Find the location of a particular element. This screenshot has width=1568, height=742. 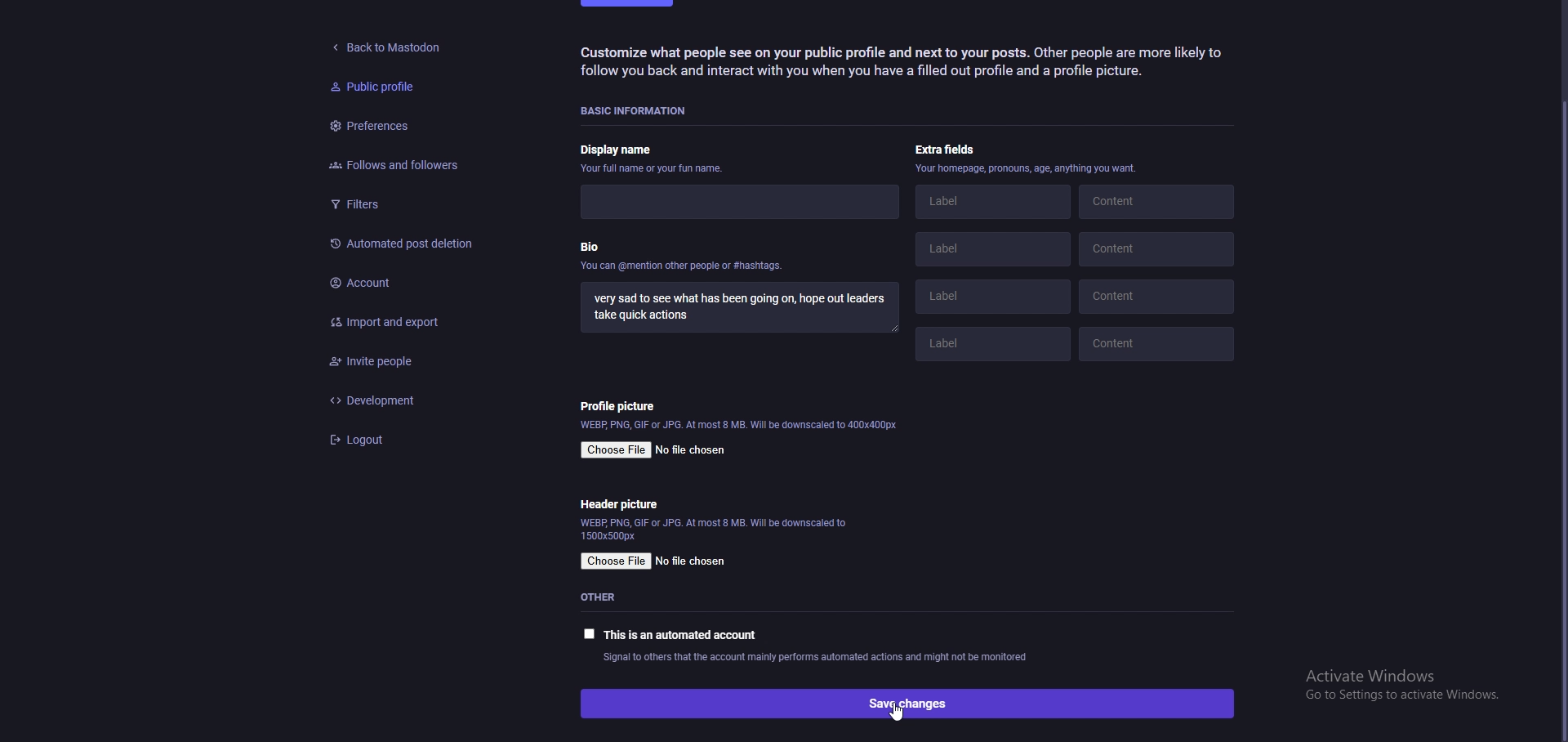

scroll bar is located at coordinates (1558, 418).